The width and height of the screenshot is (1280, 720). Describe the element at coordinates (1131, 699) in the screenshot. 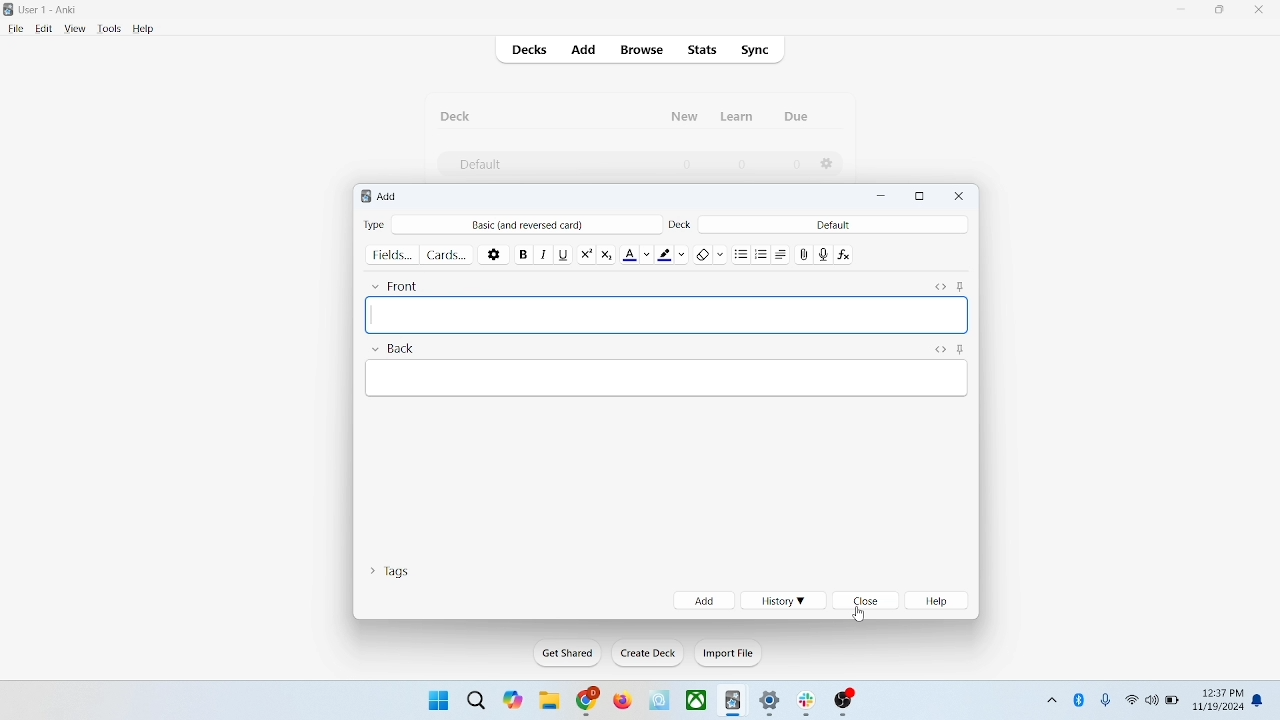

I see `wifi` at that location.